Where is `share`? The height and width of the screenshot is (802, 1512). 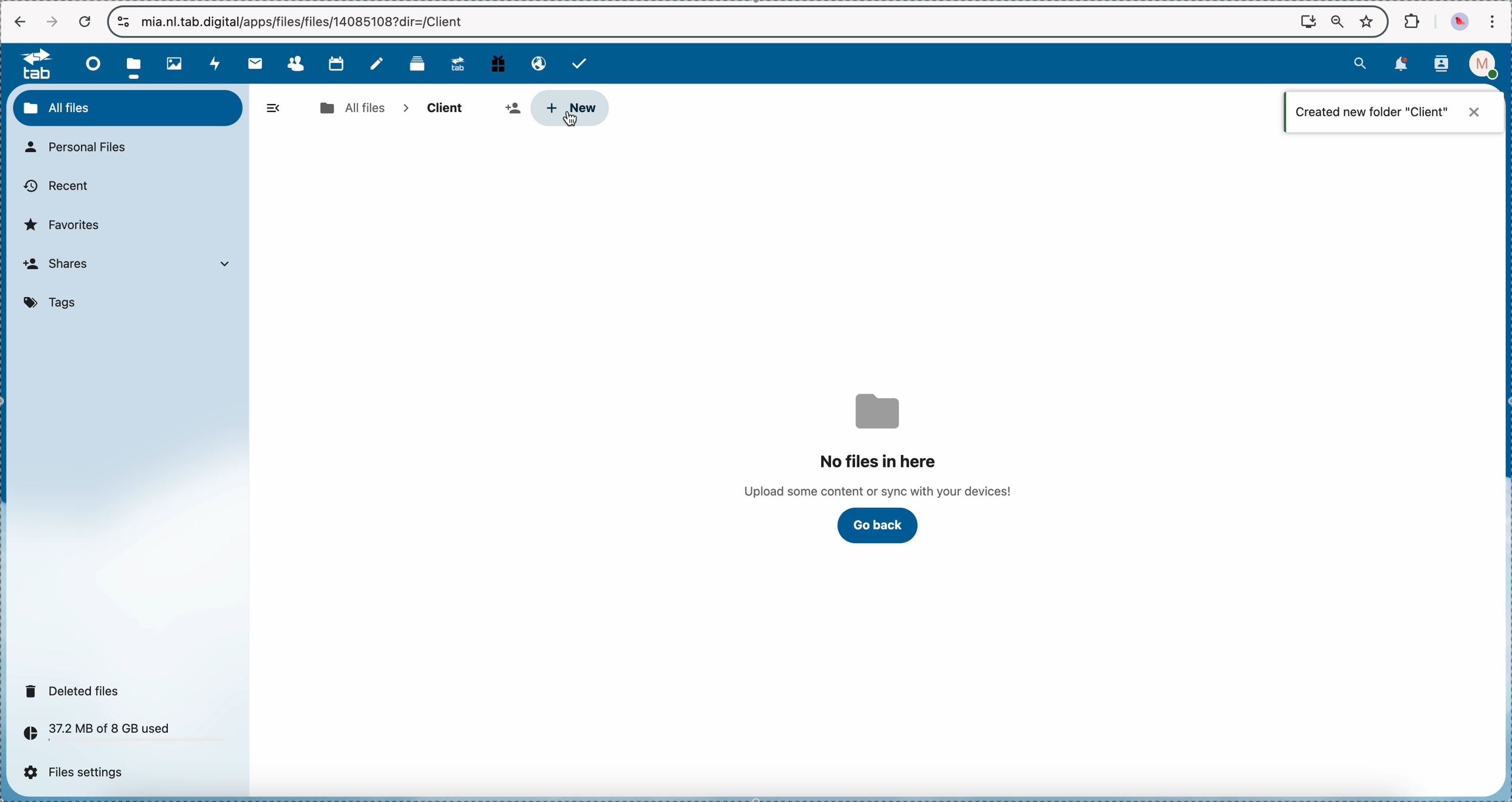
share is located at coordinates (512, 107).